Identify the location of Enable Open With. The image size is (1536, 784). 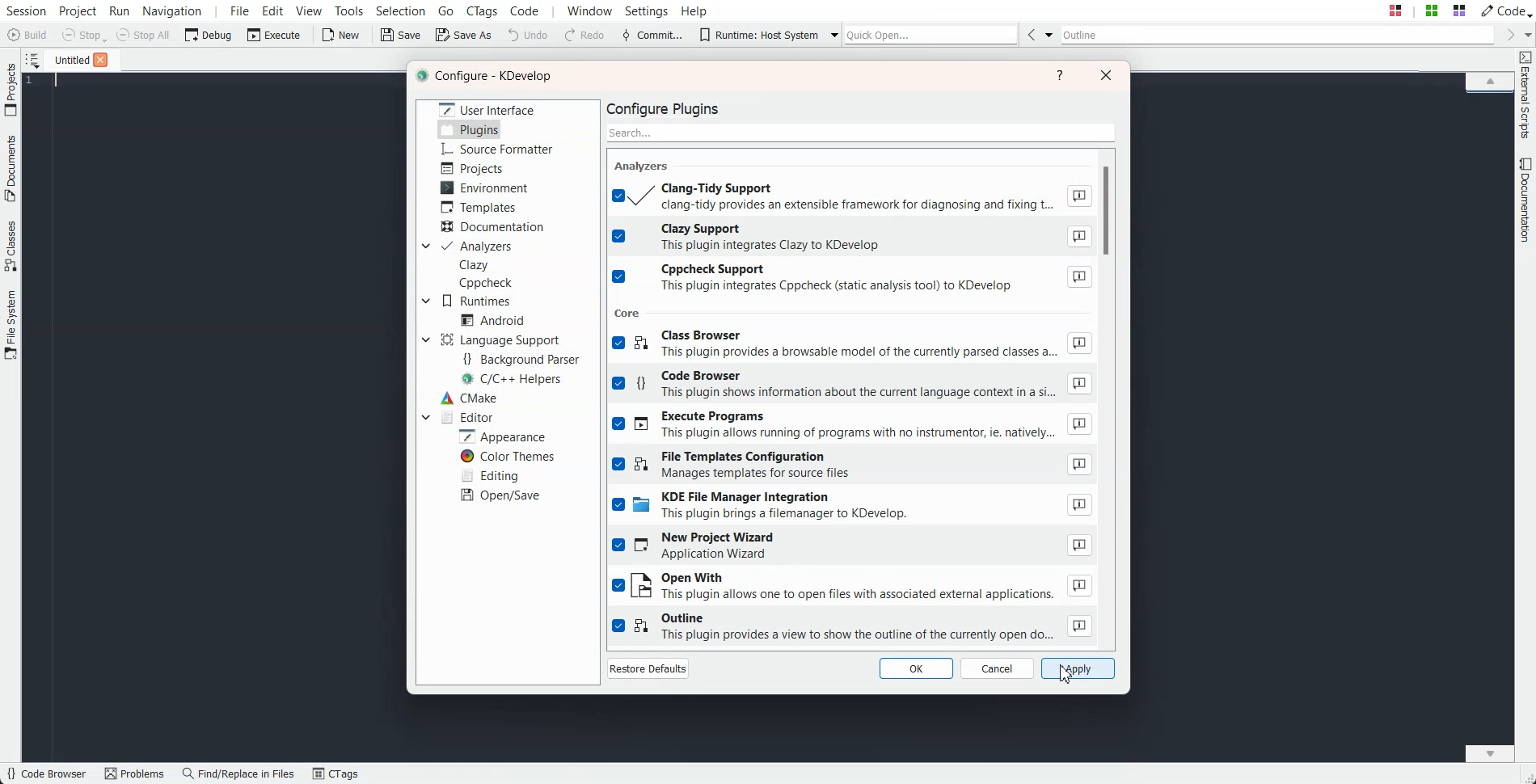
(852, 587).